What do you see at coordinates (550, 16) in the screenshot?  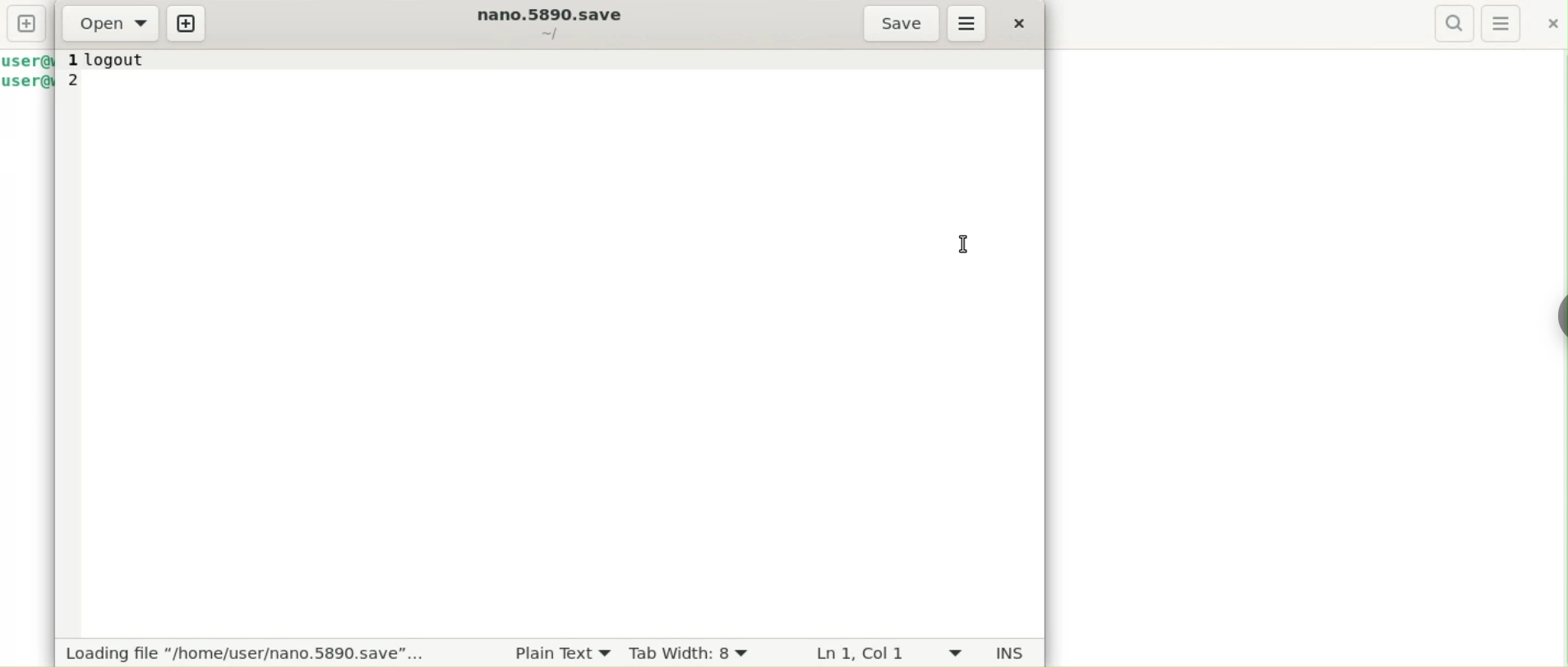 I see `nano.5890.save` at bounding box center [550, 16].